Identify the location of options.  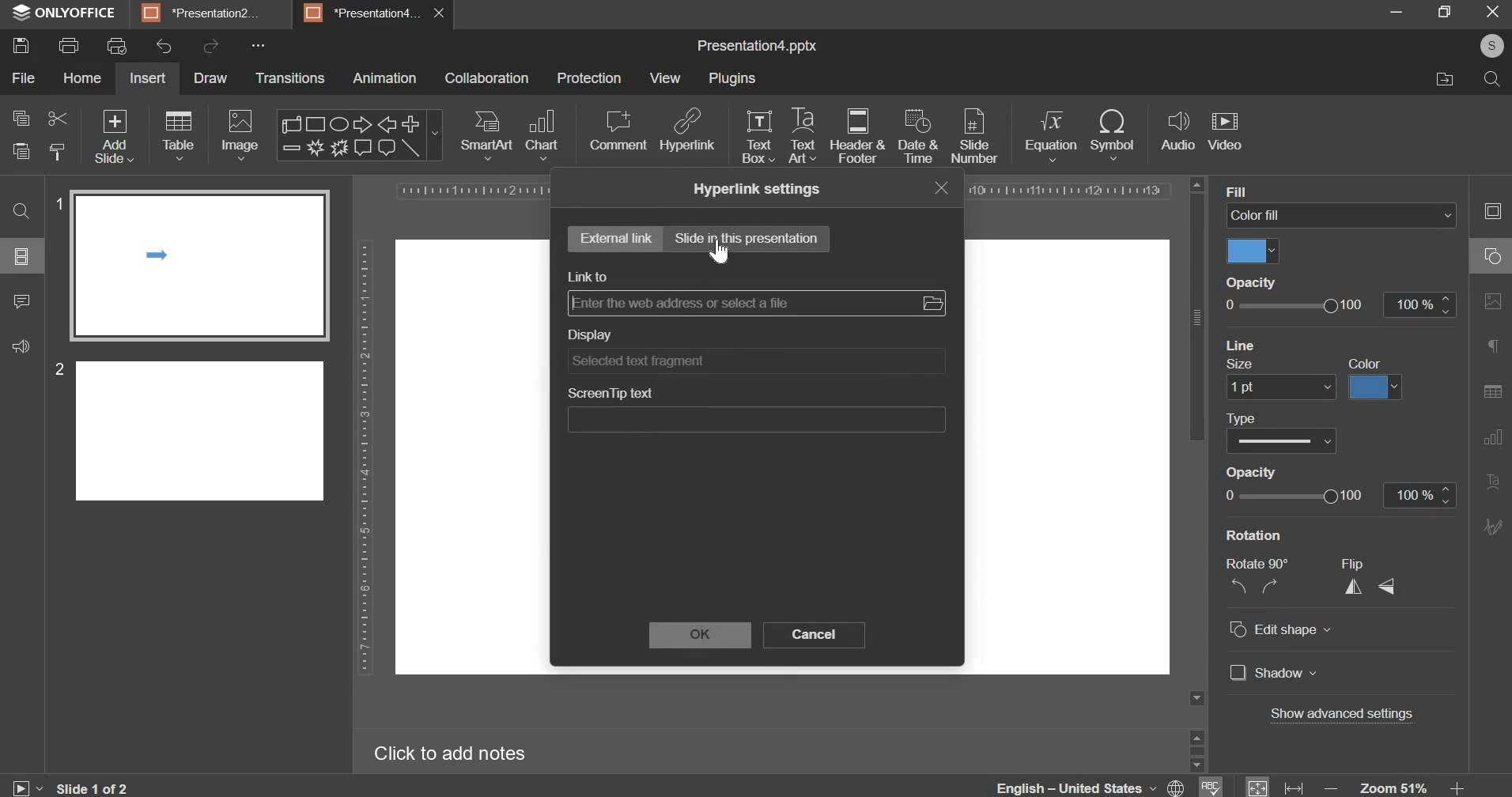
(14, 254).